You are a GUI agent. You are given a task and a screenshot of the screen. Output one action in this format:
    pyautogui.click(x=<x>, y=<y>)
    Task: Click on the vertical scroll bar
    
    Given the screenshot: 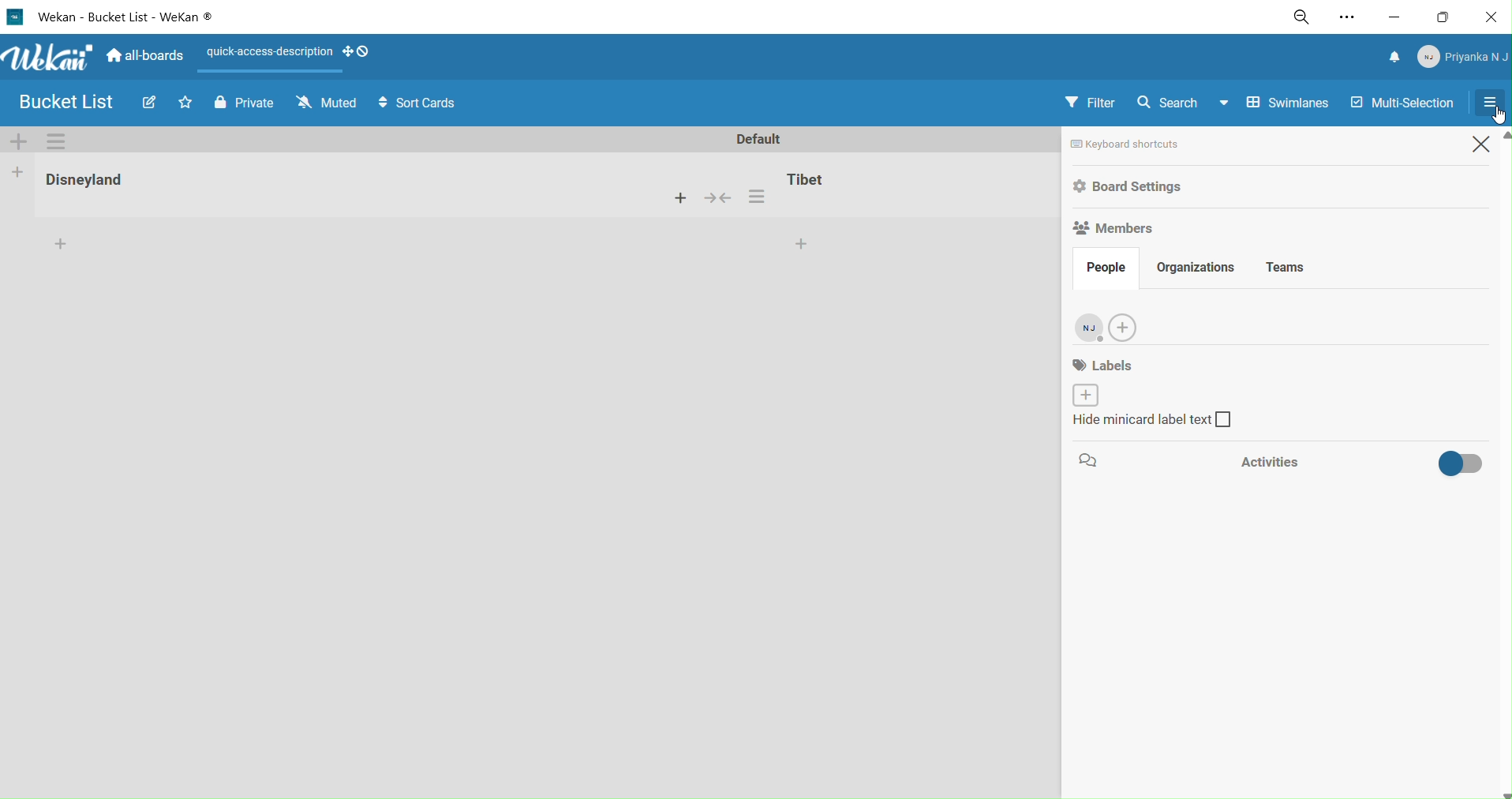 What is the action you would take?
    pyautogui.click(x=1503, y=462)
    